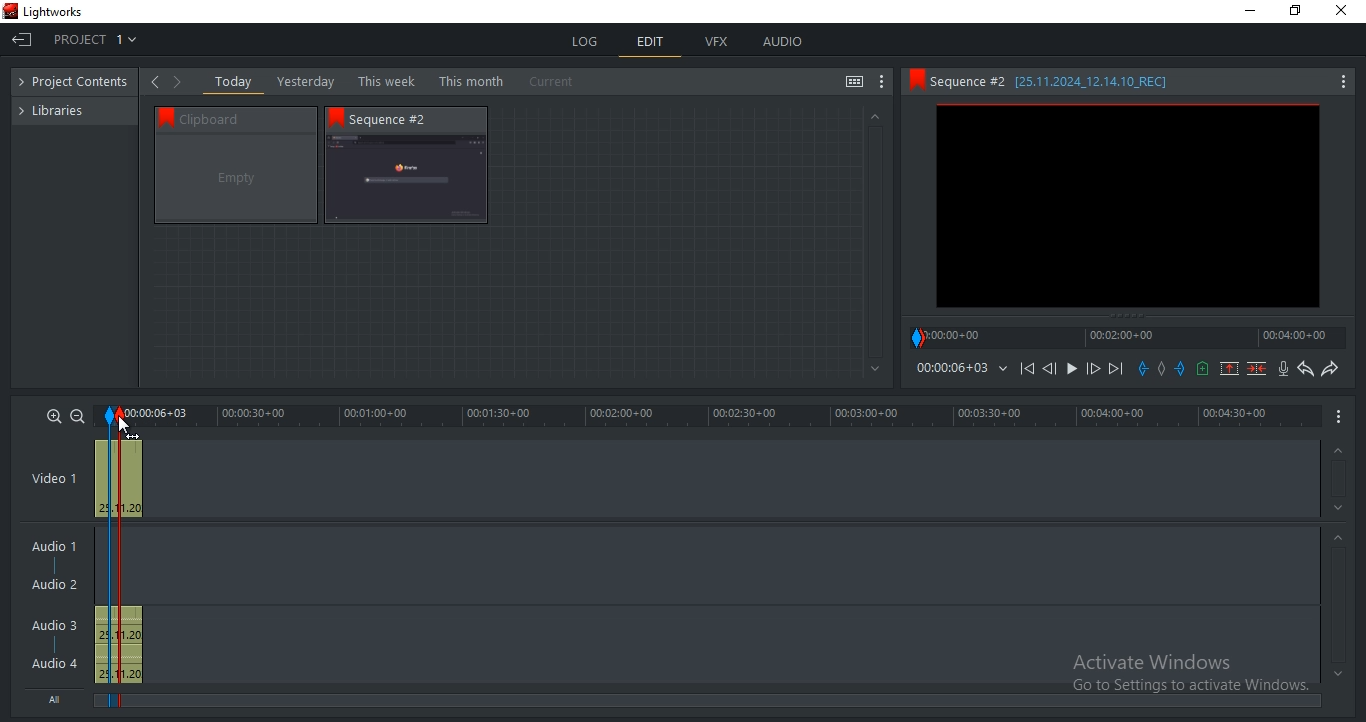 This screenshot has width=1366, height=722. Describe the element at coordinates (873, 115) in the screenshot. I see `greyed out up arrow` at that location.